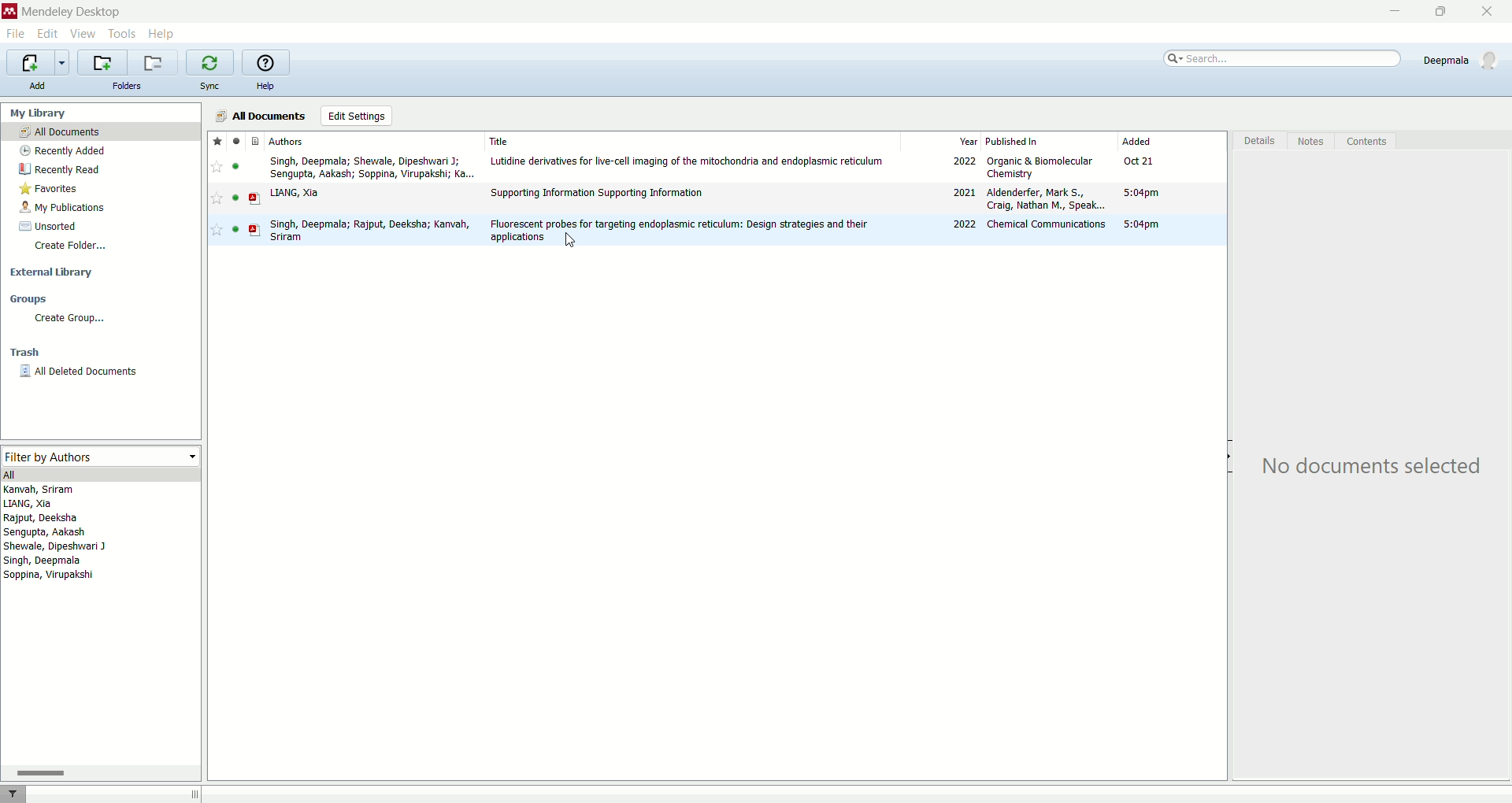 The height and width of the screenshot is (803, 1512). What do you see at coordinates (101, 474) in the screenshot?
I see `all` at bounding box center [101, 474].